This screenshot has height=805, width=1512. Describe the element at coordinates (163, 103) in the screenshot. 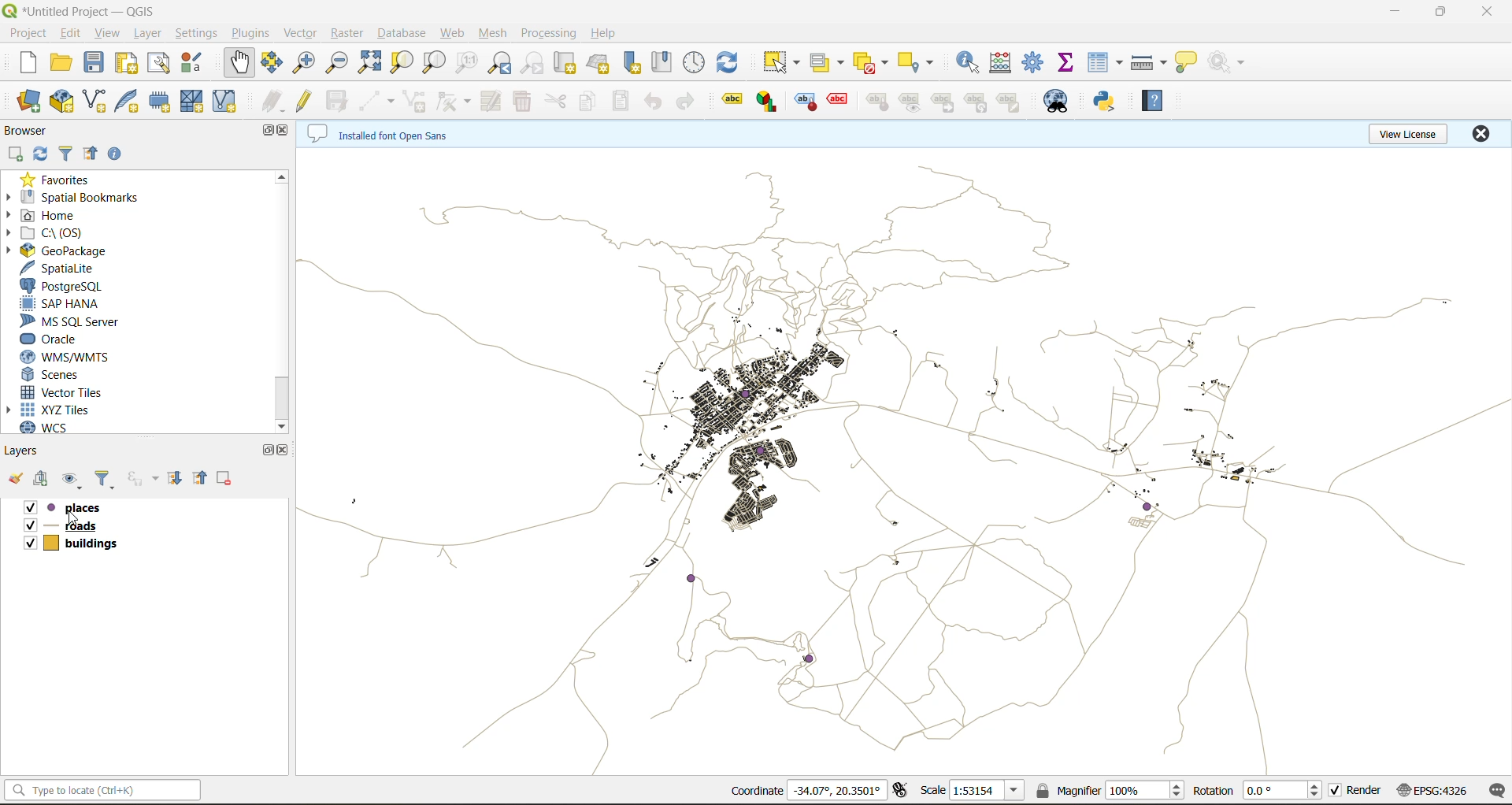

I see `temporary scratch layer` at that location.